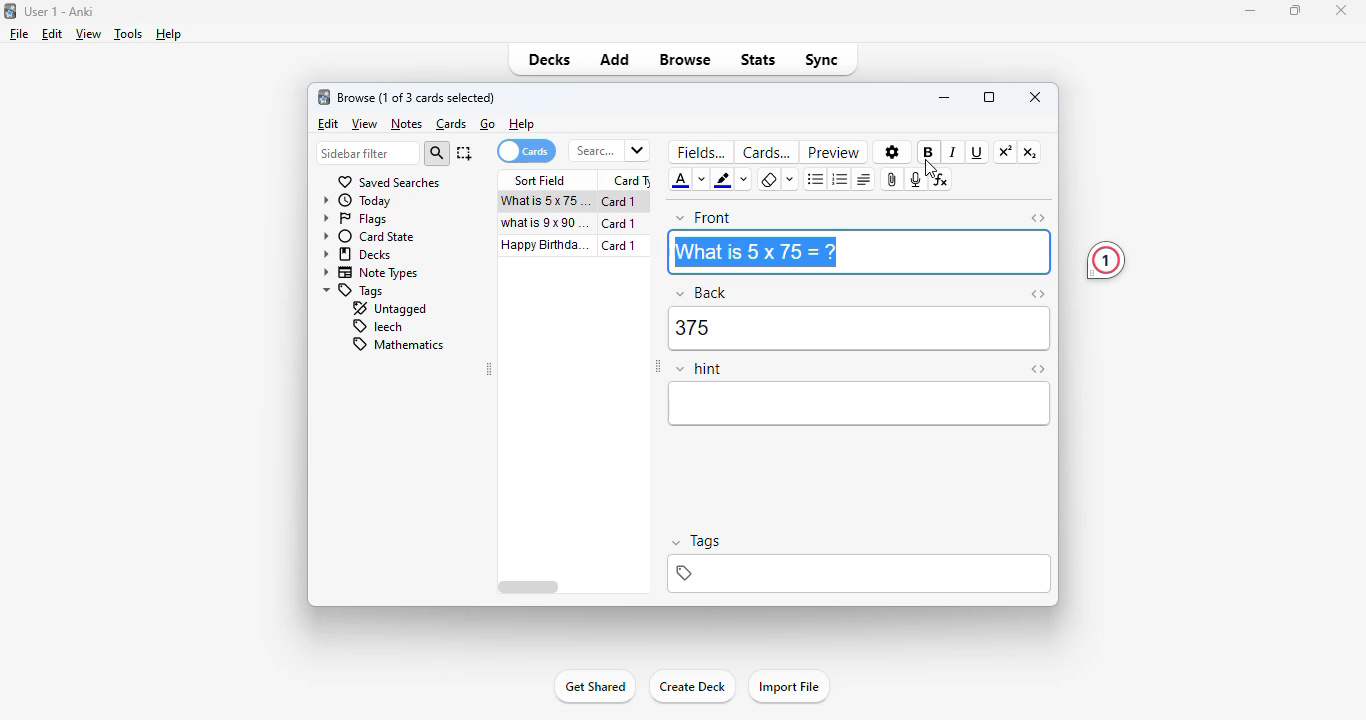  I want to click on cards, so click(451, 125).